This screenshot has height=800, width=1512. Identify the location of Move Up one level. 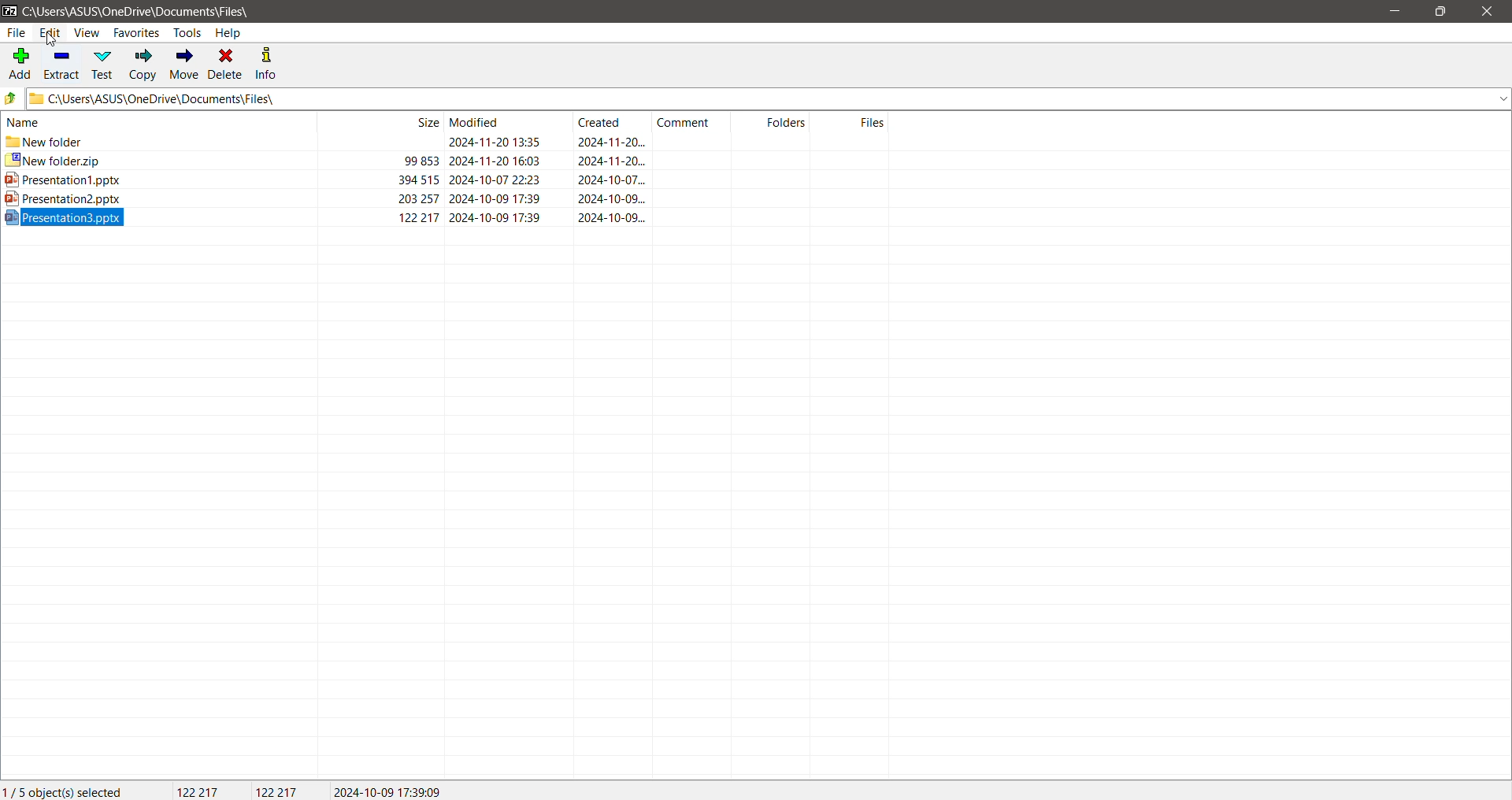
(11, 99).